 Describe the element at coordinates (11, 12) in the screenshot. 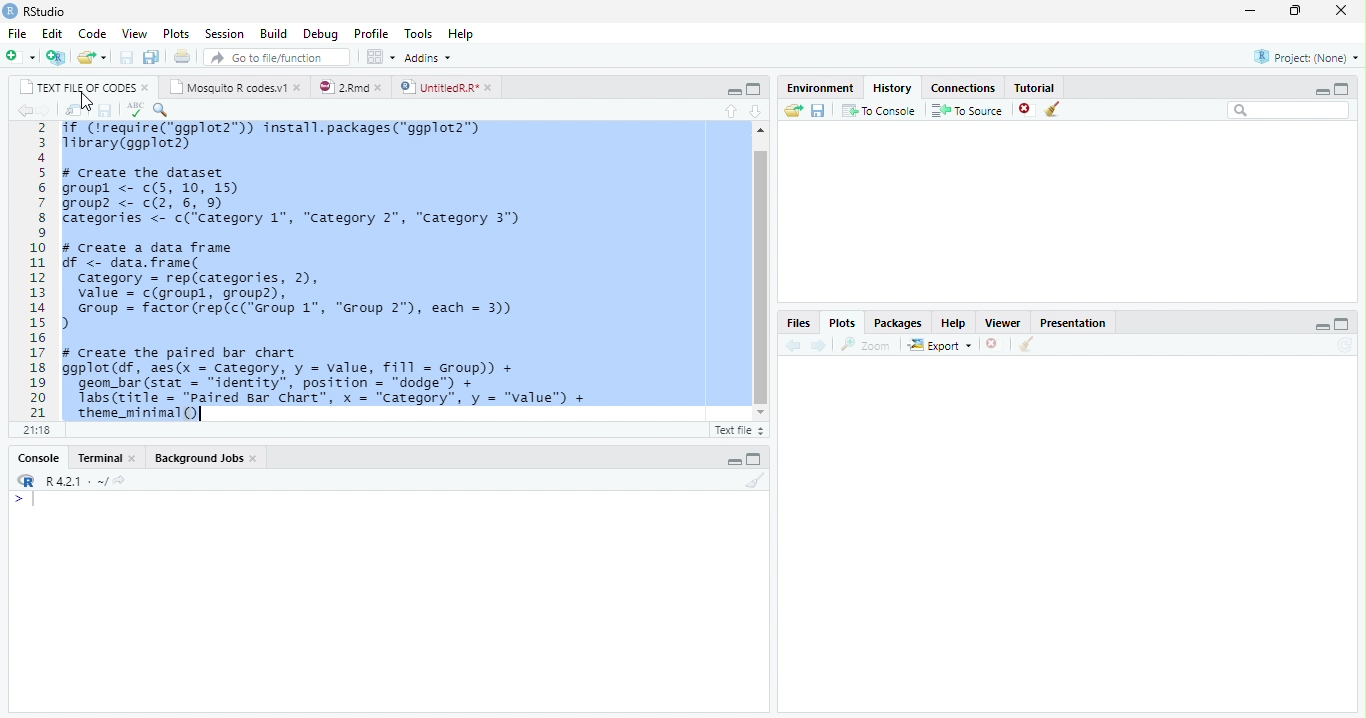

I see `logo` at that location.